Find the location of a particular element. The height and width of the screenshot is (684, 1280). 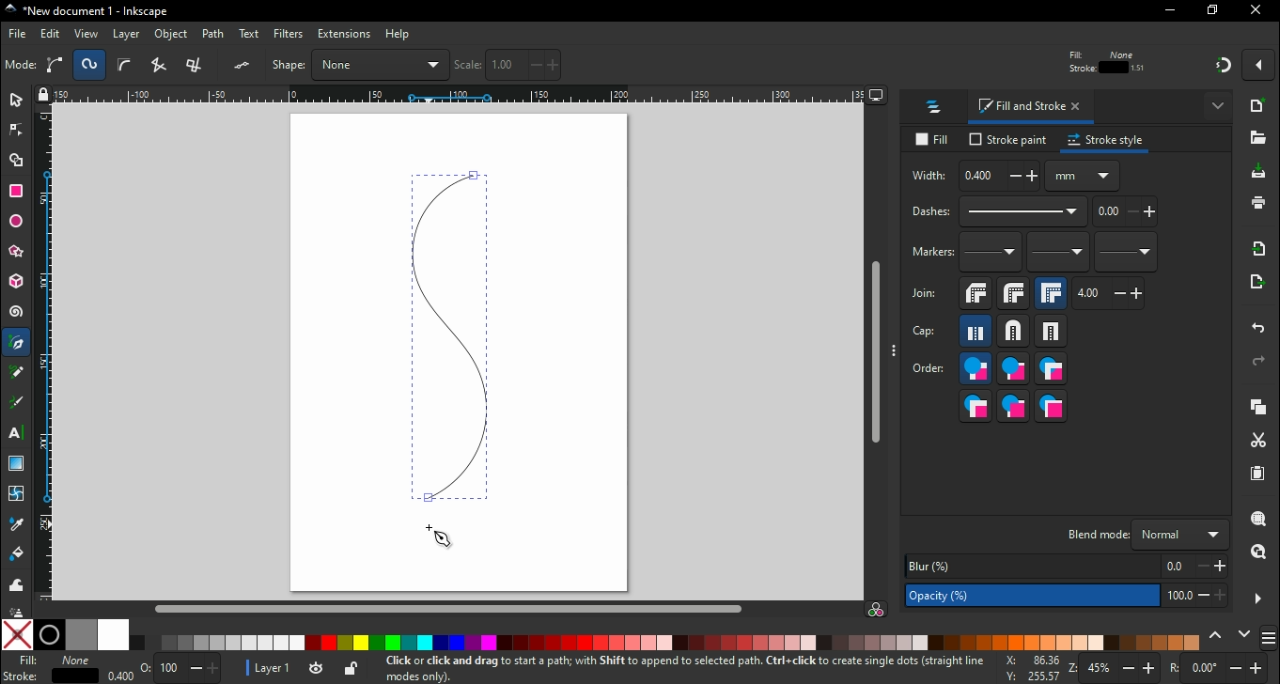

cursor coordinates is located at coordinates (1028, 668).